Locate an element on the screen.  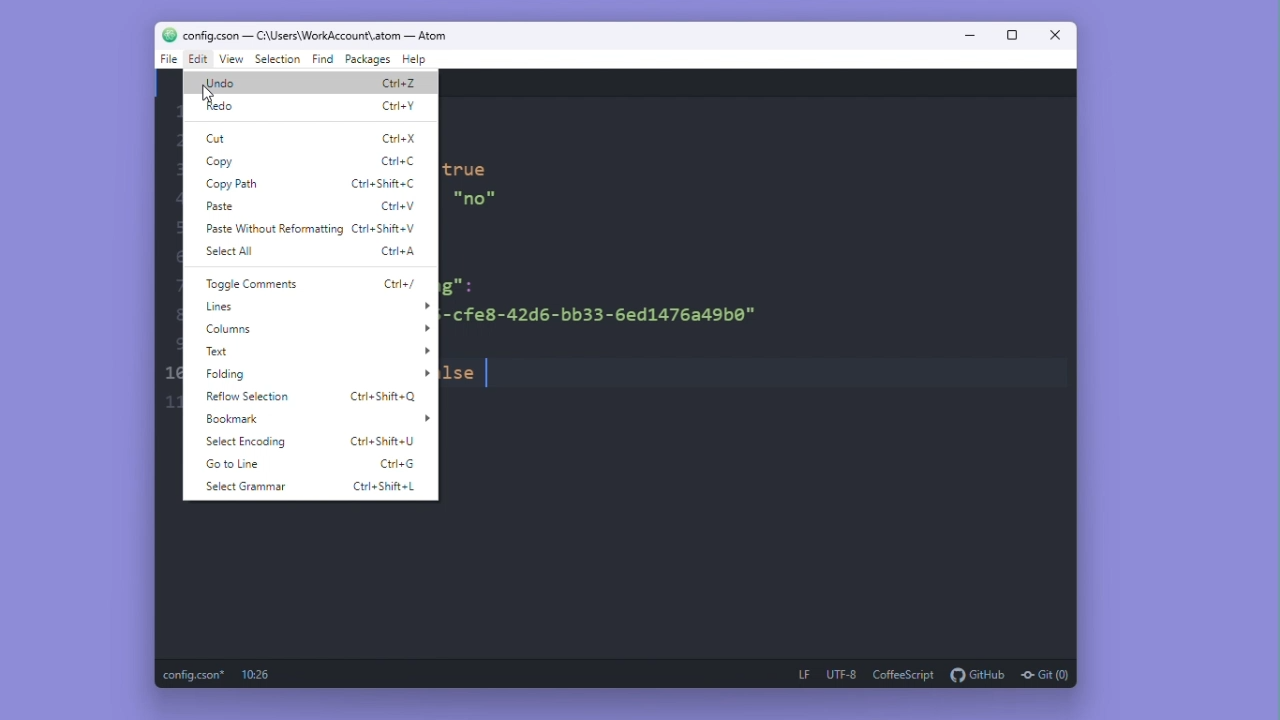
reflow selection is located at coordinates (255, 396).